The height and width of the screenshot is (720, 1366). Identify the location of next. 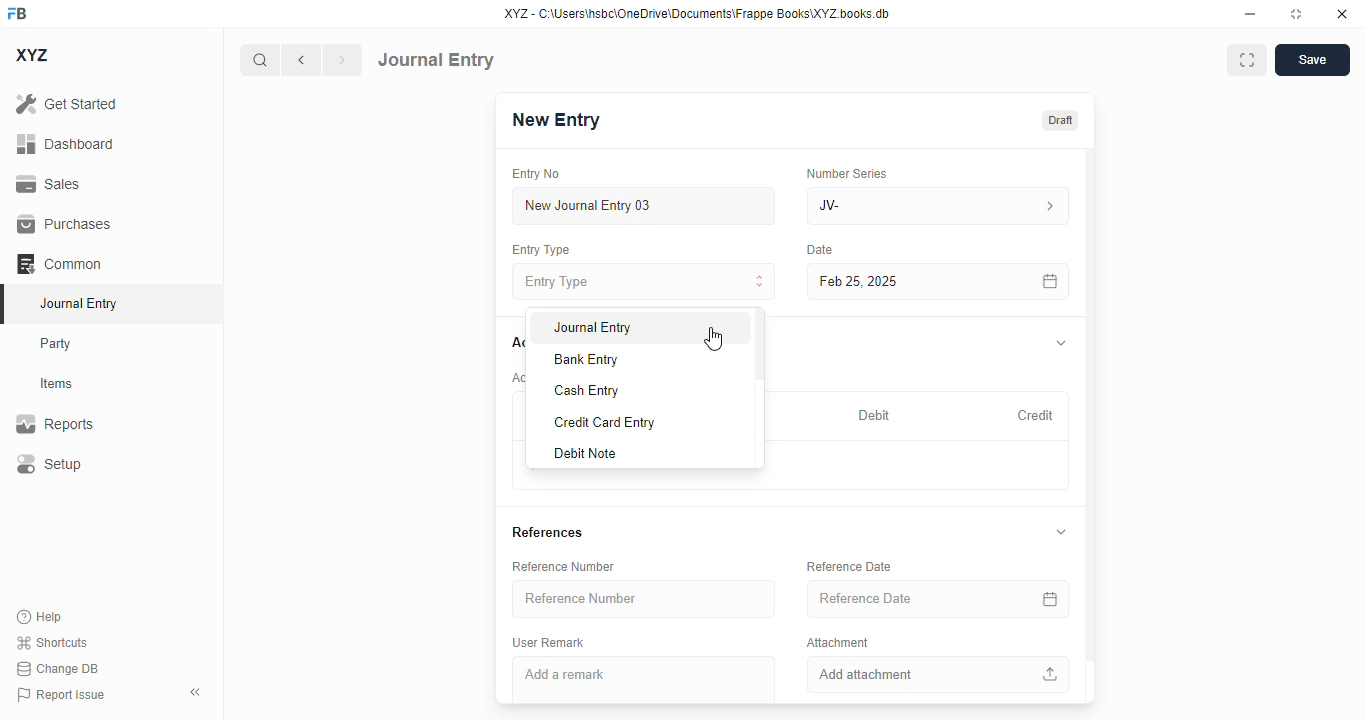
(343, 60).